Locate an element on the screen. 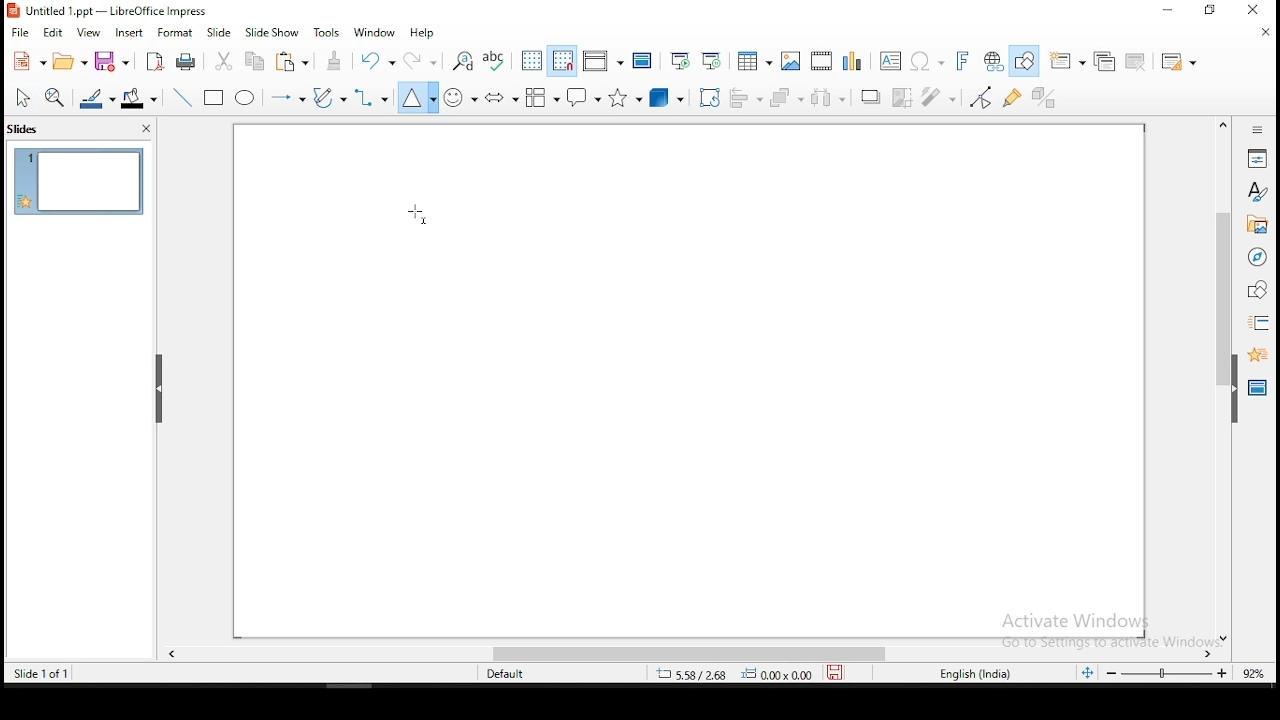 Image resolution: width=1280 pixels, height=720 pixels. tools is located at coordinates (330, 31).